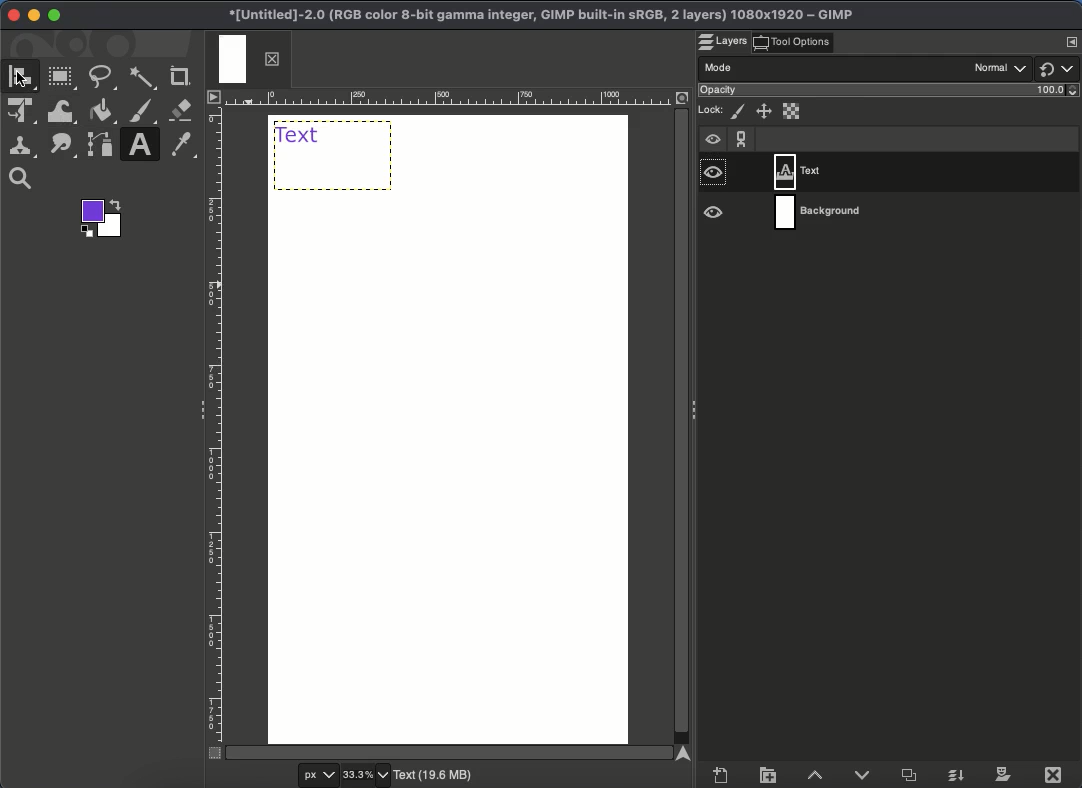 This screenshot has width=1082, height=788. Describe the element at coordinates (912, 776) in the screenshot. I see `Duplicate` at that location.